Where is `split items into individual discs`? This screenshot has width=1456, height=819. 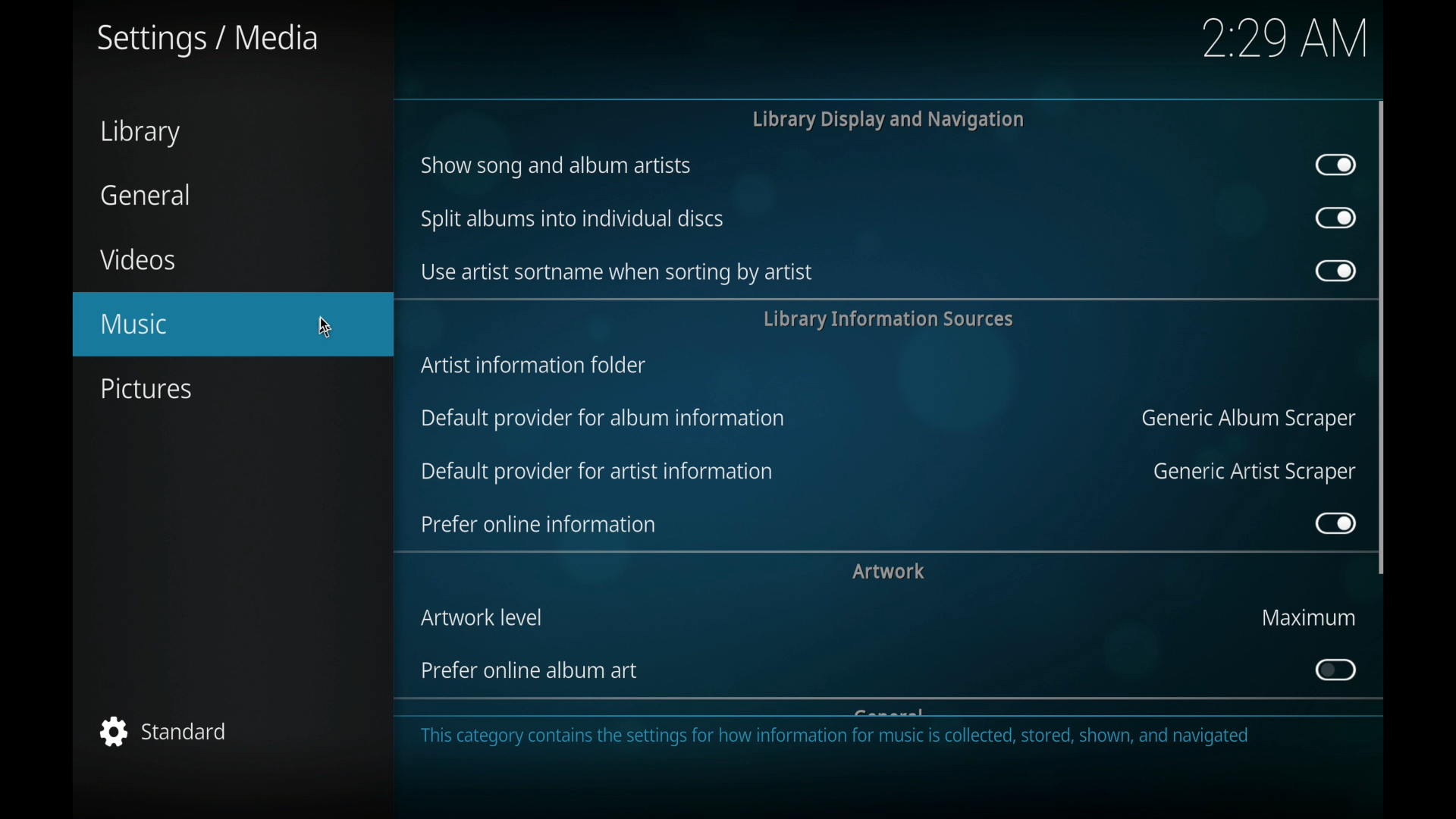
split items into individual discs is located at coordinates (569, 221).